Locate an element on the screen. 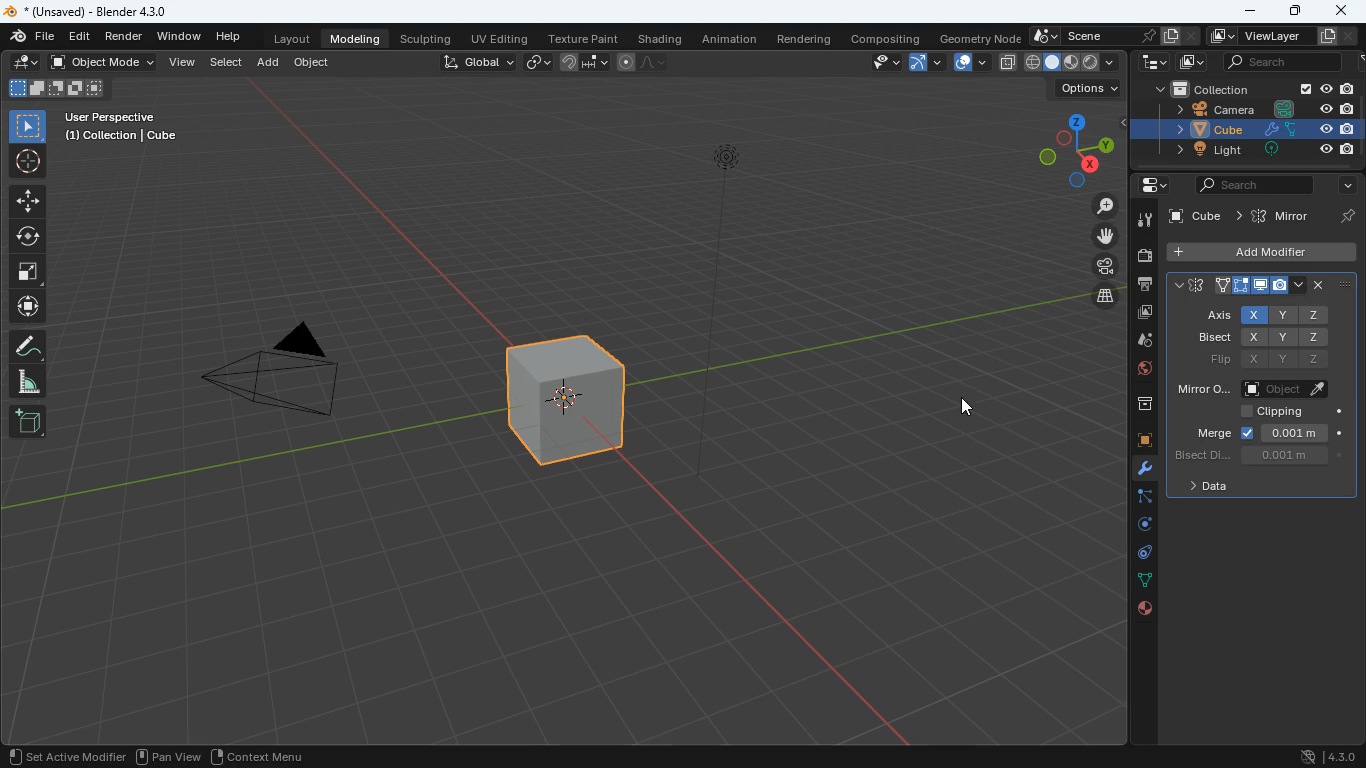 This screenshot has width=1366, height=768. object mode is located at coordinates (102, 63).